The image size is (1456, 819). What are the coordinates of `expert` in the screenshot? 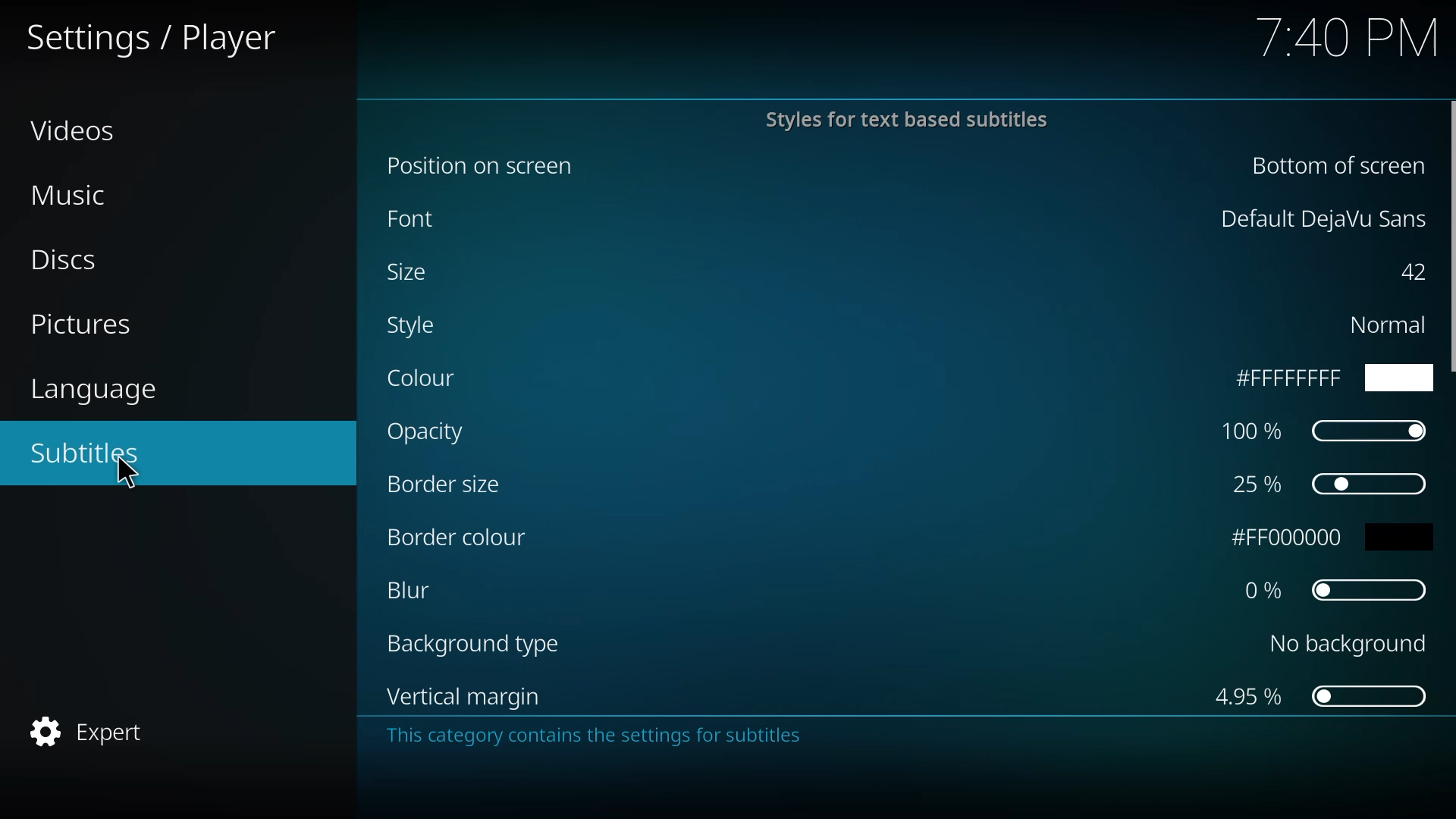 It's located at (98, 727).